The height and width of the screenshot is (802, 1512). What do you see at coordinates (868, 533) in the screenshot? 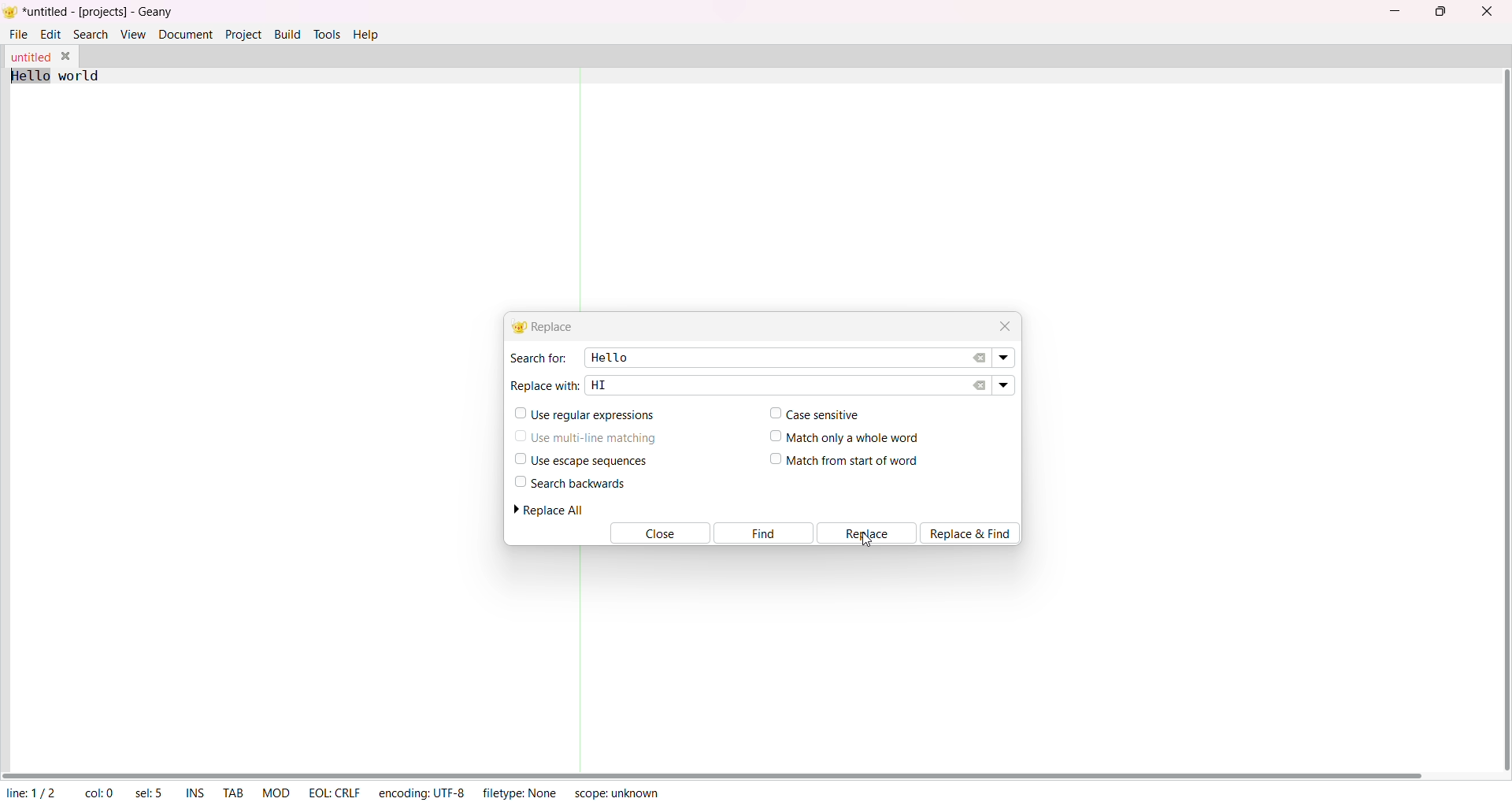
I see `replace` at bounding box center [868, 533].